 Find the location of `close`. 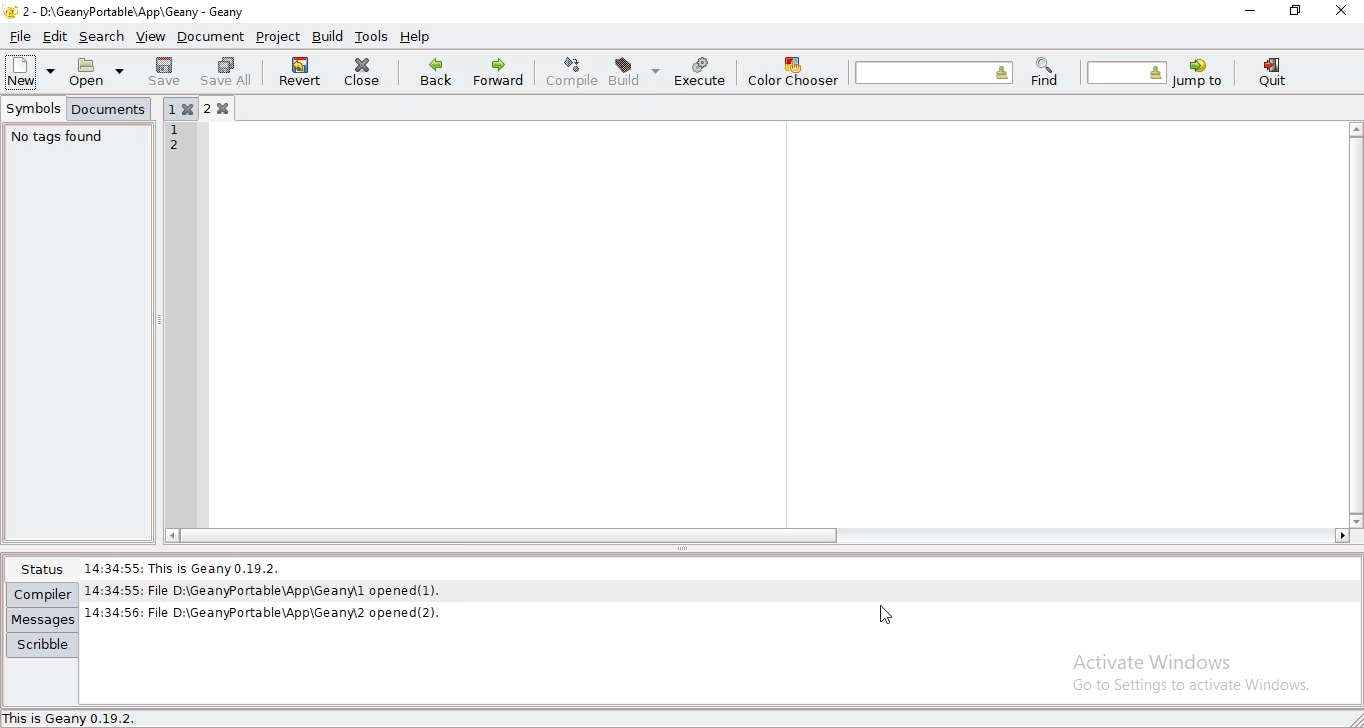

close is located at coordinates (365, 70).